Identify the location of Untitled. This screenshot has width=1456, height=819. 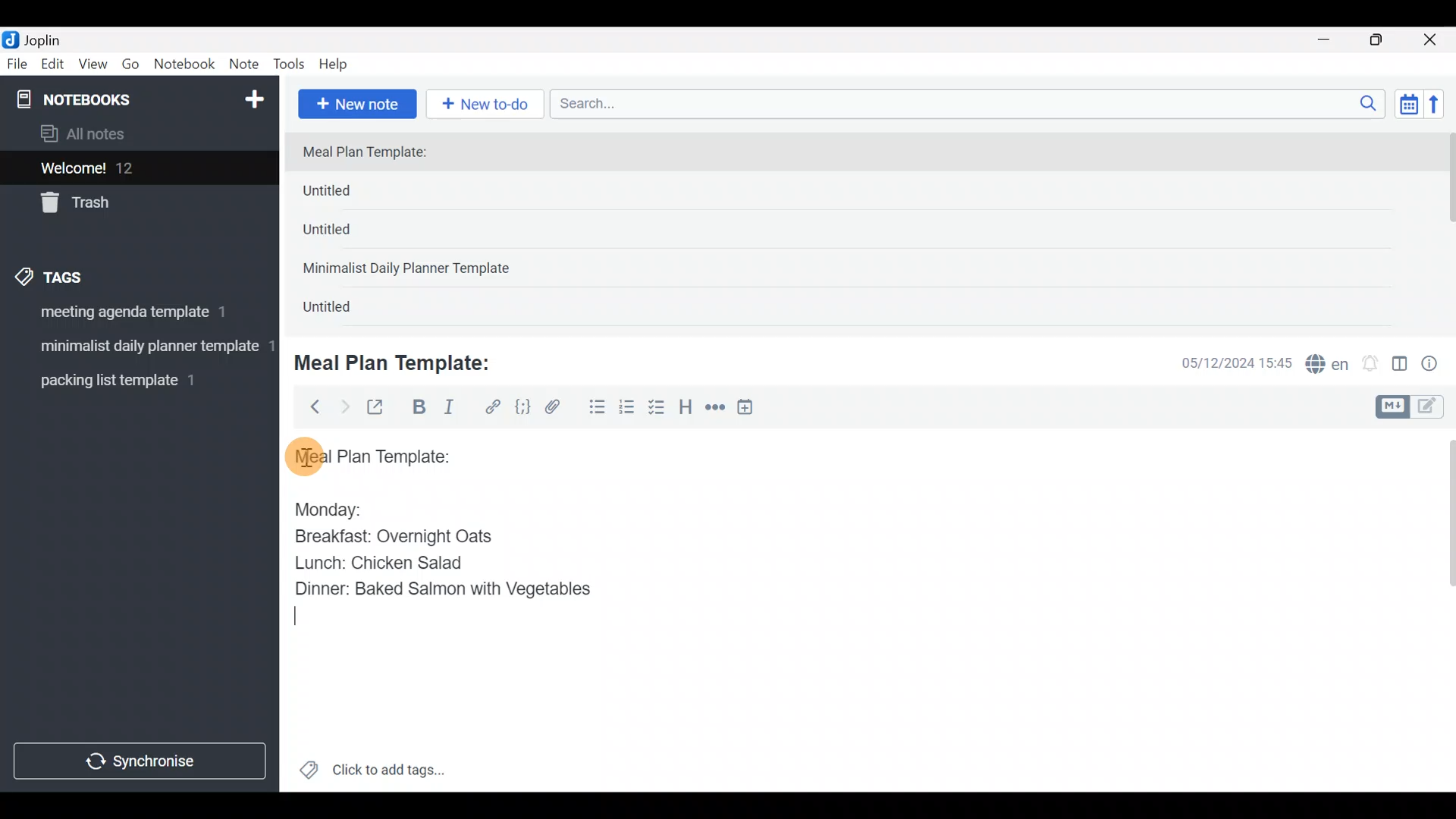
(347, 234).